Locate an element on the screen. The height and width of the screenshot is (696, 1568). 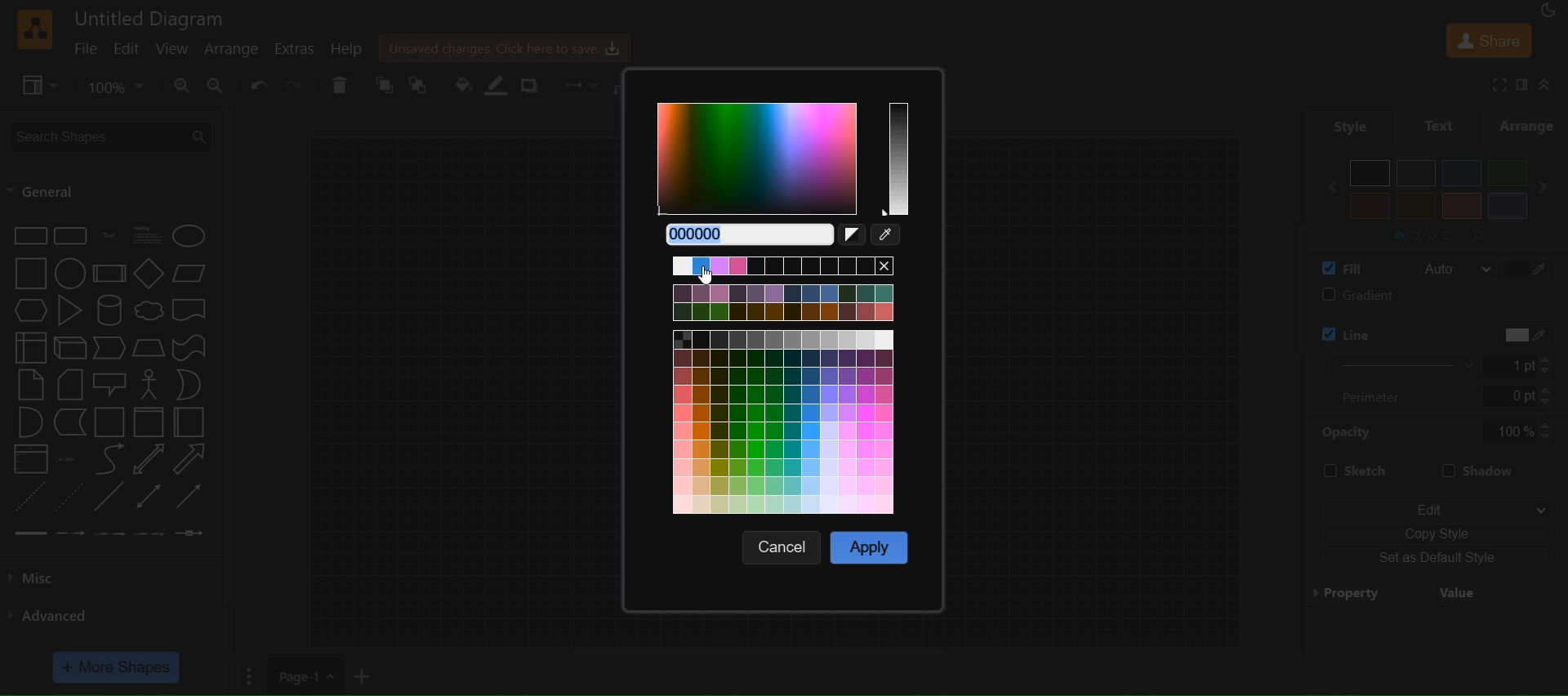
actor is located at coordinates (150, 385).